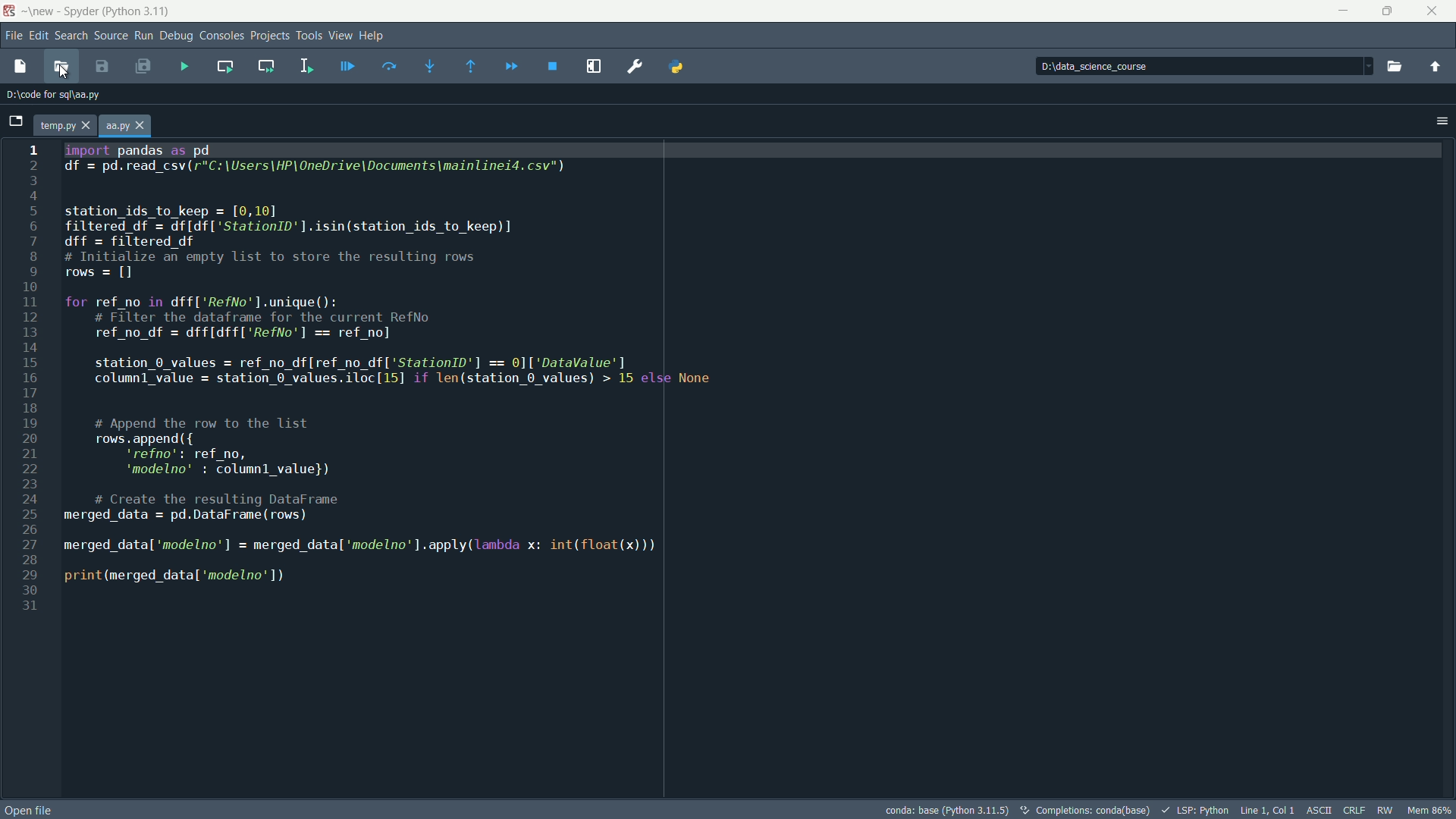 The image size is (1456, 819). I want to click on debug file, so click(348, 66).